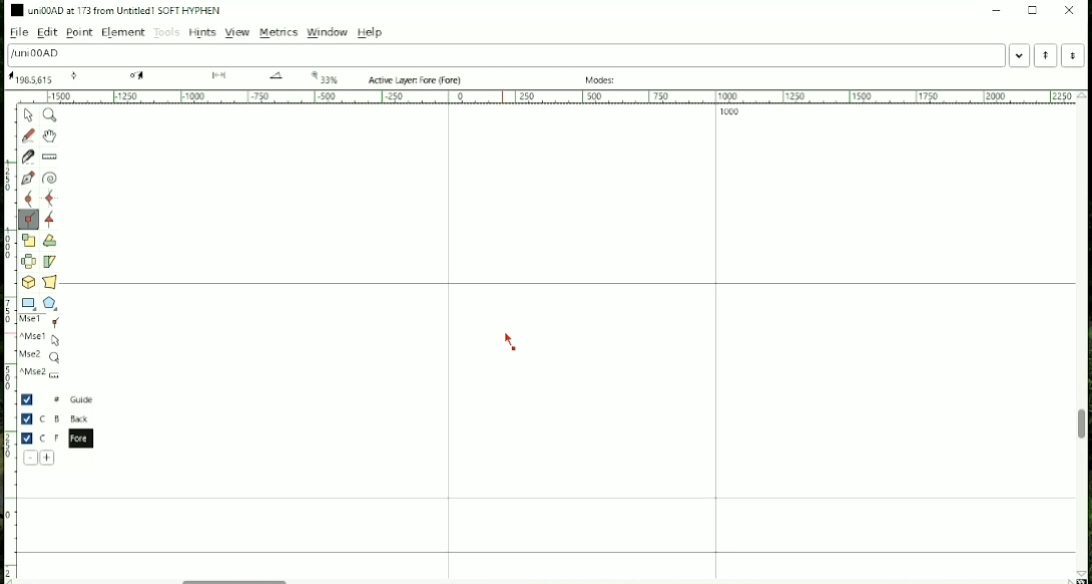 This screenshot has width=1092, height=584. What do you see at coordinates (49, 136) in the screenshot?
I see `Scroll by hand` at bounding box center [49, 136].